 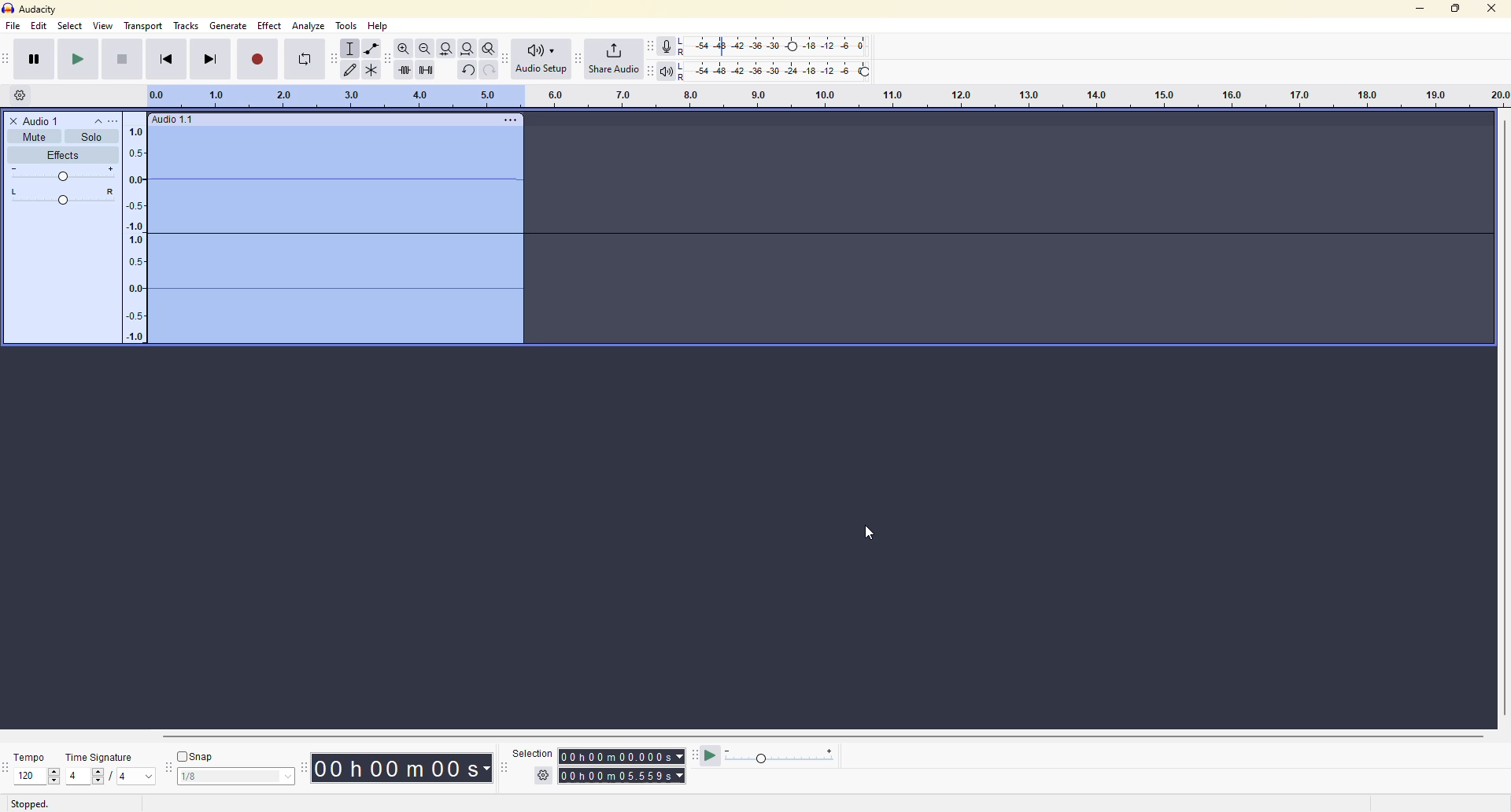 I want to click on audacity tools toolbar, so click(x=334, y=57).